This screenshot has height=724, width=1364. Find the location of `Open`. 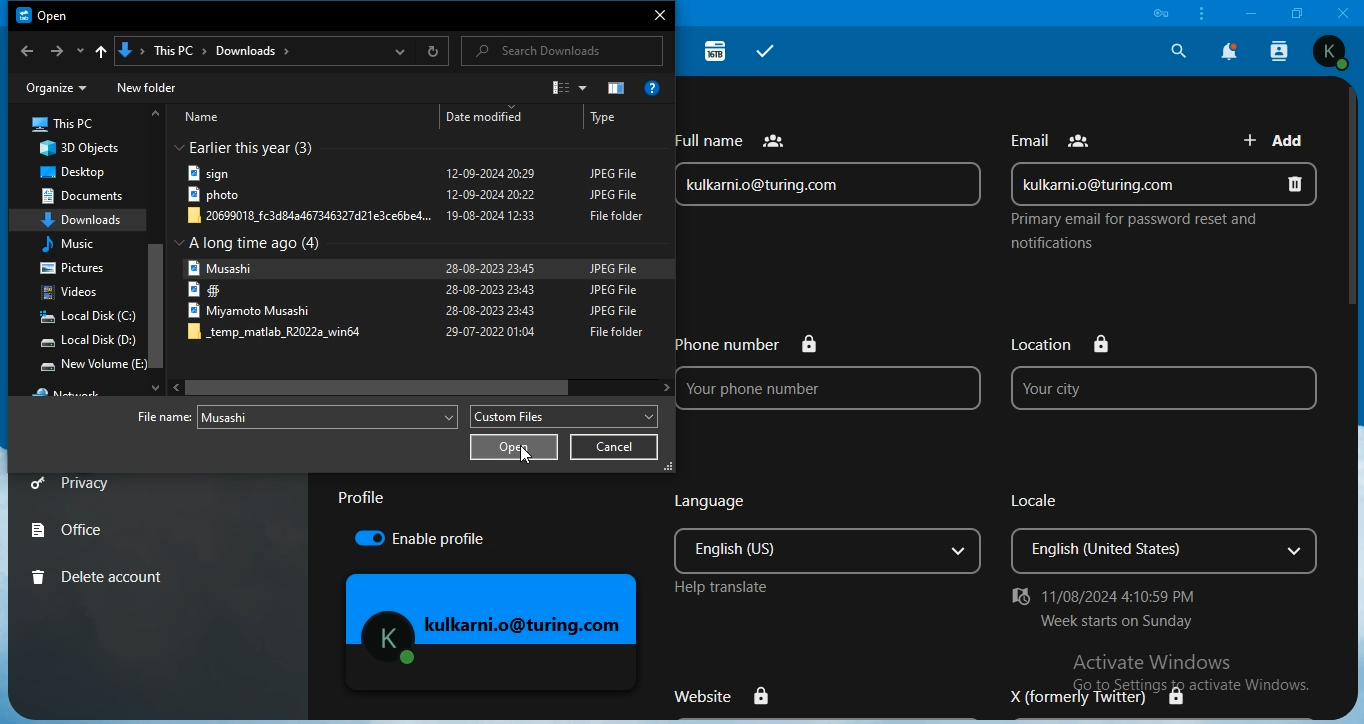

Open is located at coordinates (49, 17).